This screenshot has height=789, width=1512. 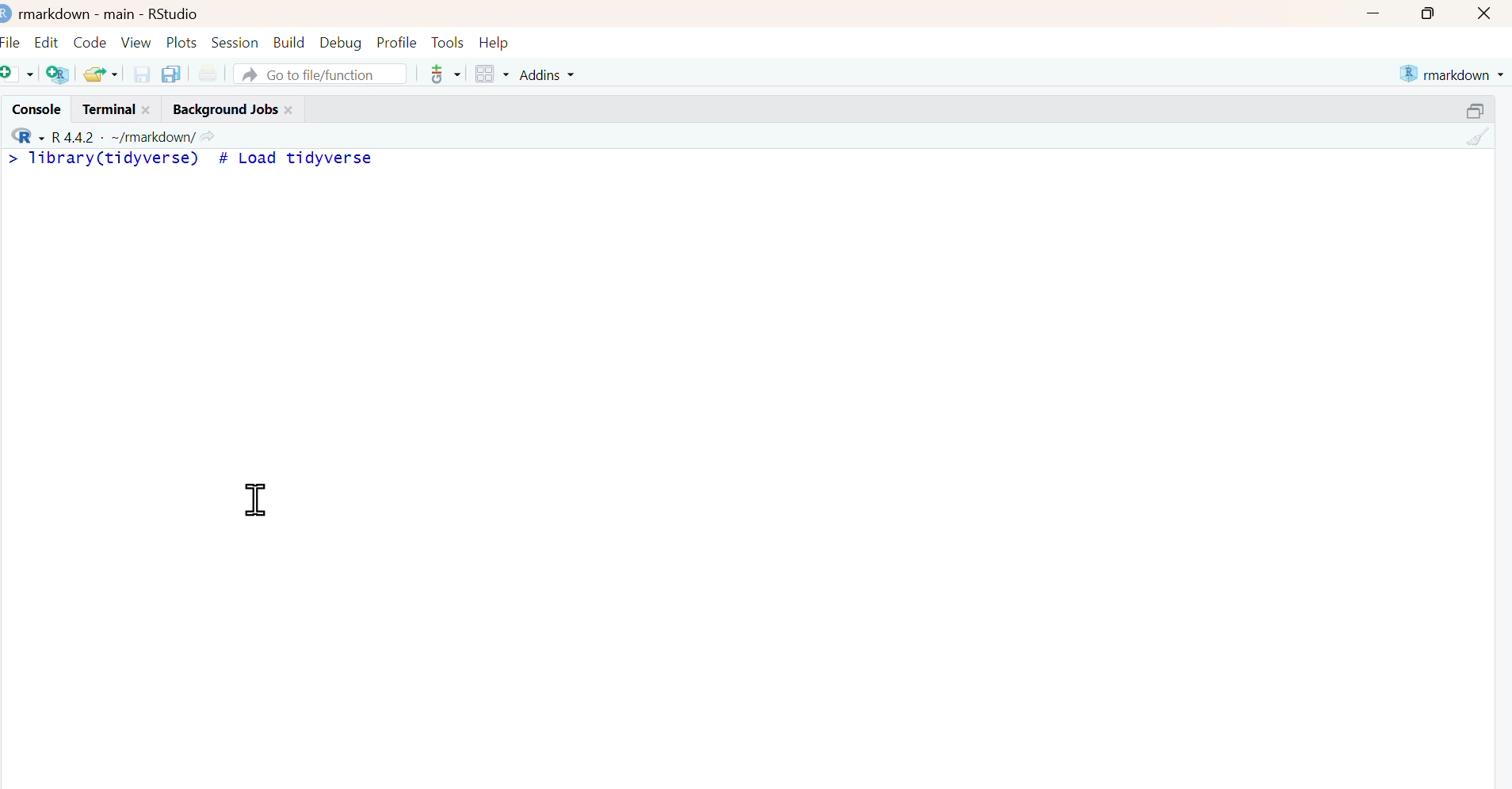 I want to click on Print current file, so click(x=208, y=73).